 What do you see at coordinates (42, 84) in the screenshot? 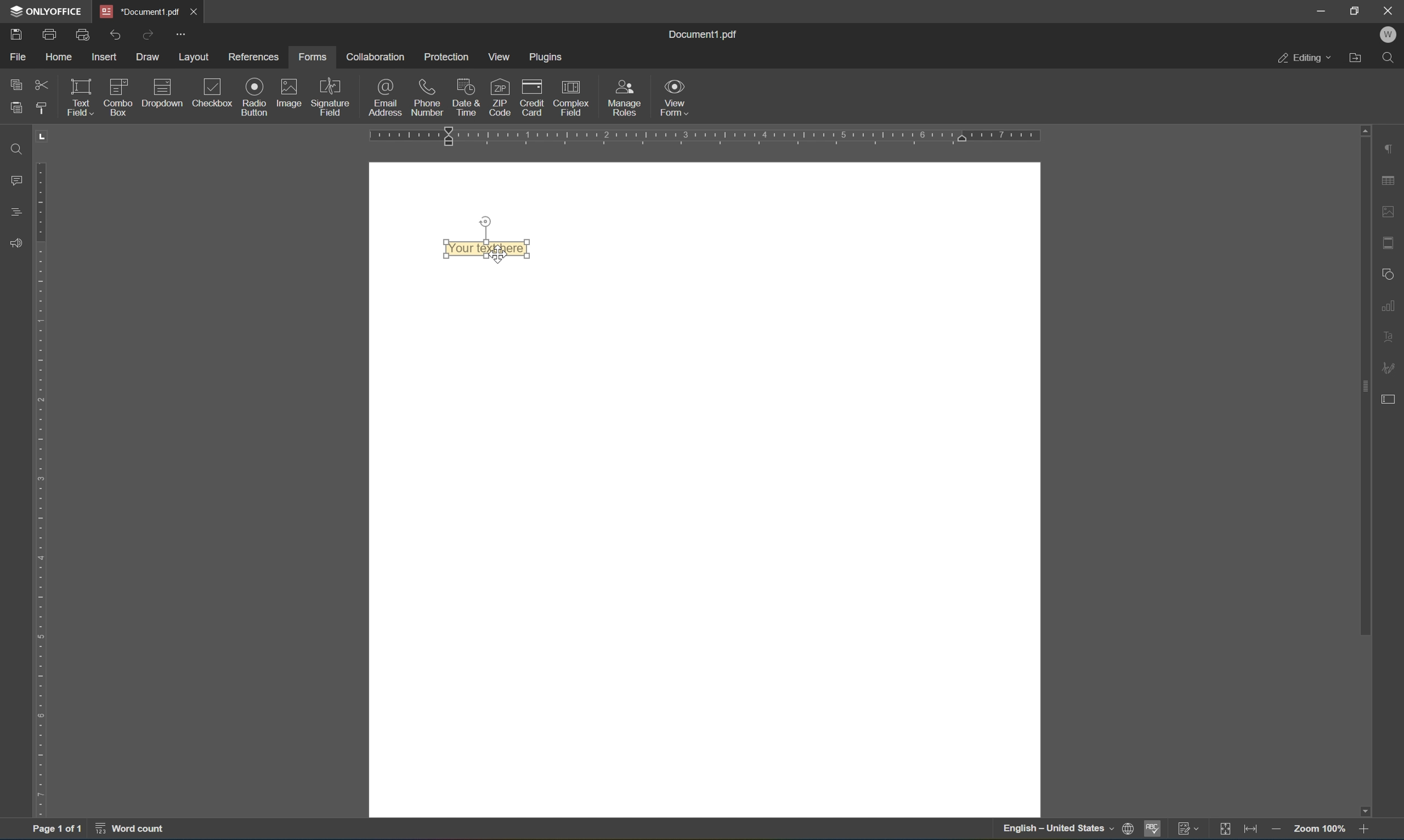
I see `cut` at bounding box center [42, 84].